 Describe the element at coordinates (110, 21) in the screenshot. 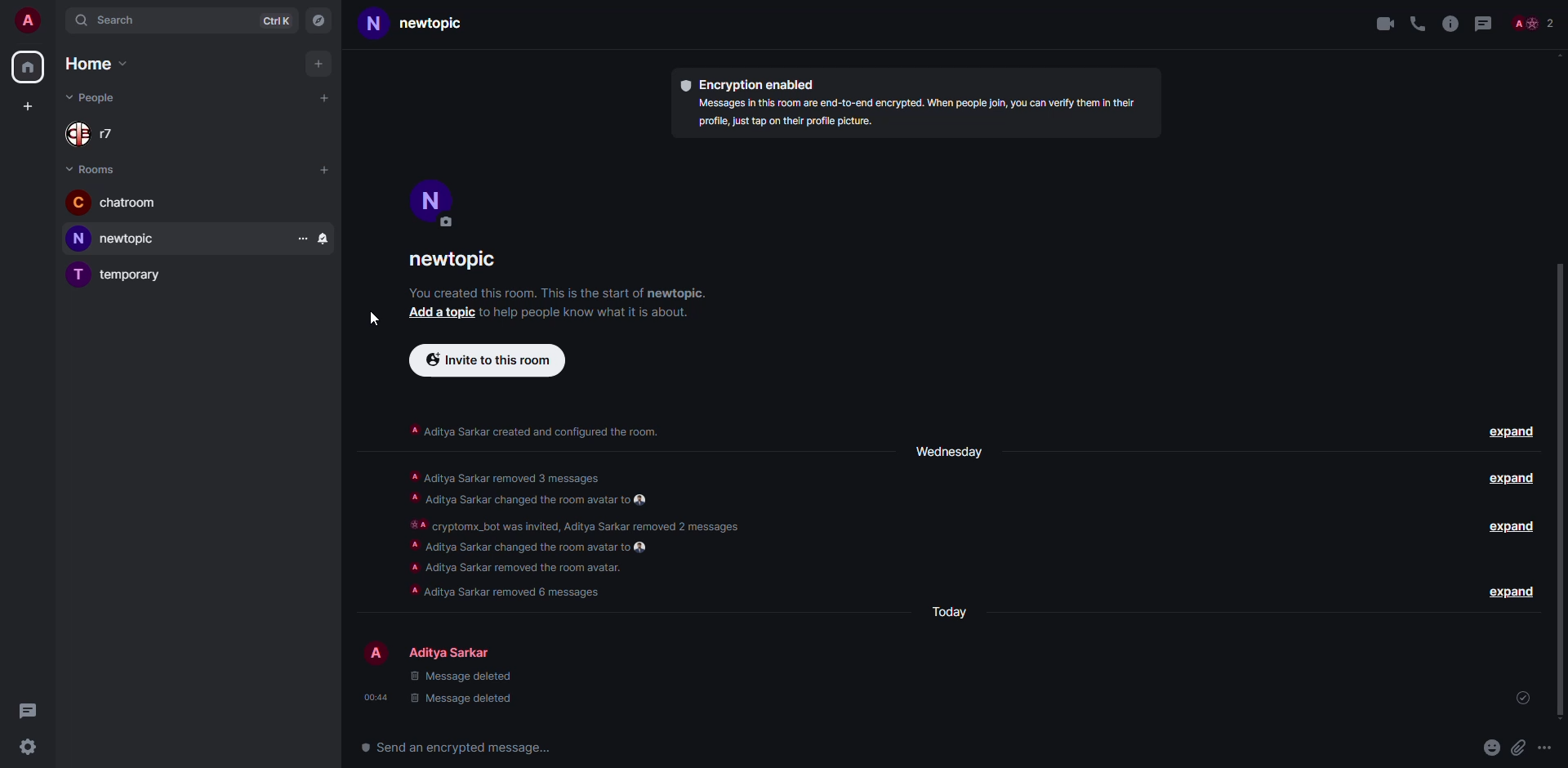

I see `search` at that location.